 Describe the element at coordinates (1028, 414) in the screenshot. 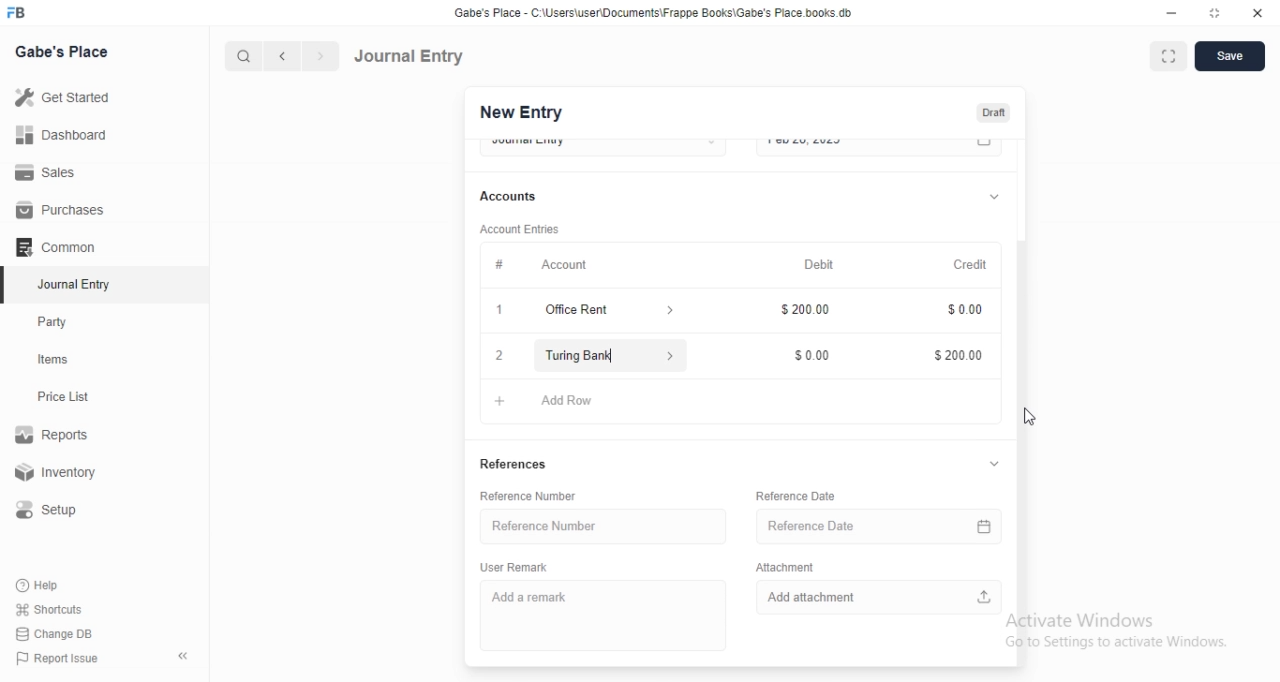

I see `cursor` at that location.